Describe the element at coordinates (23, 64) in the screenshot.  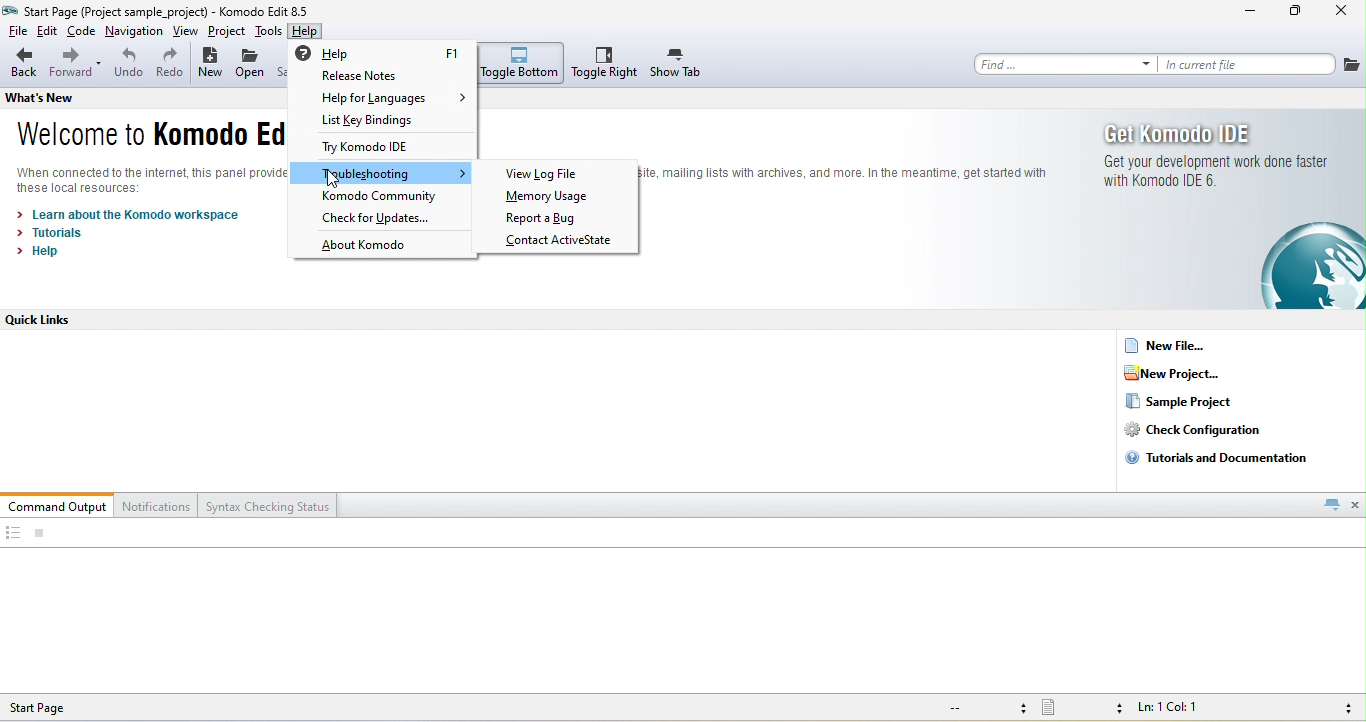
I see `back` at that location.